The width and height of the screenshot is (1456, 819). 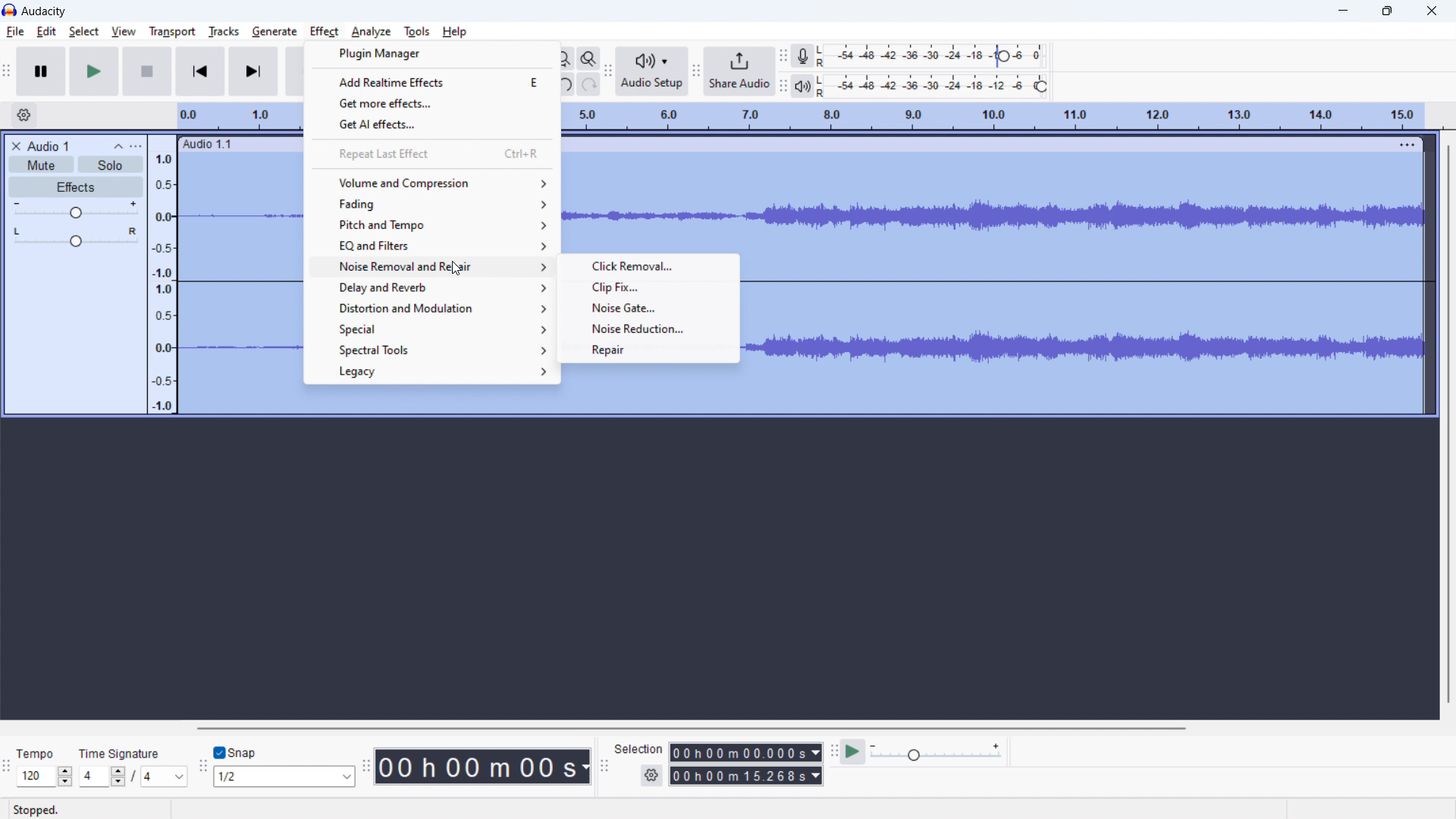 What do you see at coordinates (162, 275) in the screenshot?
I see `amplitude` at bounding box center [162, 275].